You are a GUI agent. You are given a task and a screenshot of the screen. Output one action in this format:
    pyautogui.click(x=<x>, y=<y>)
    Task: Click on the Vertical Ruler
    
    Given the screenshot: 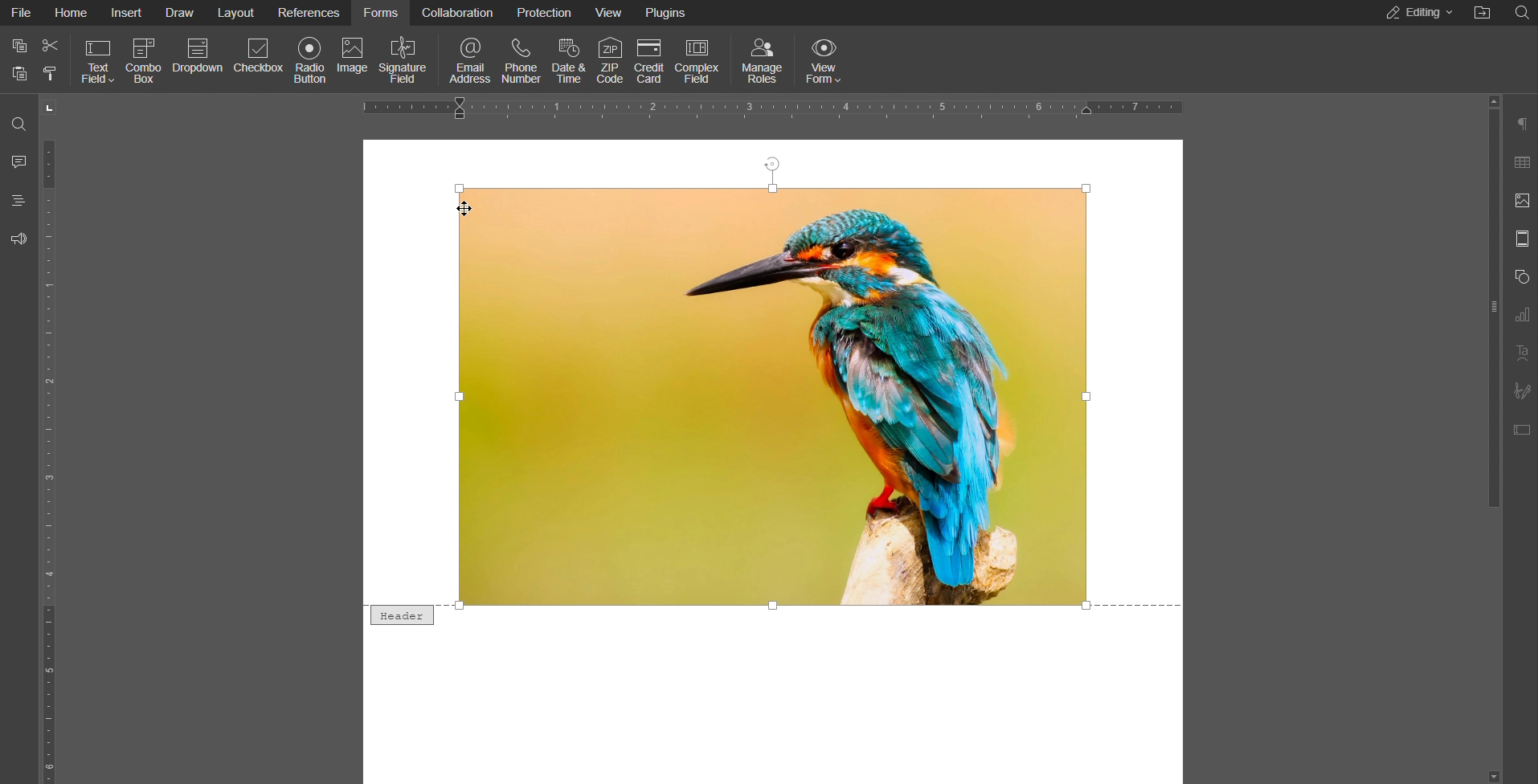 What is the action you would take?
    pyautogui.click(x=53, y=439)
    